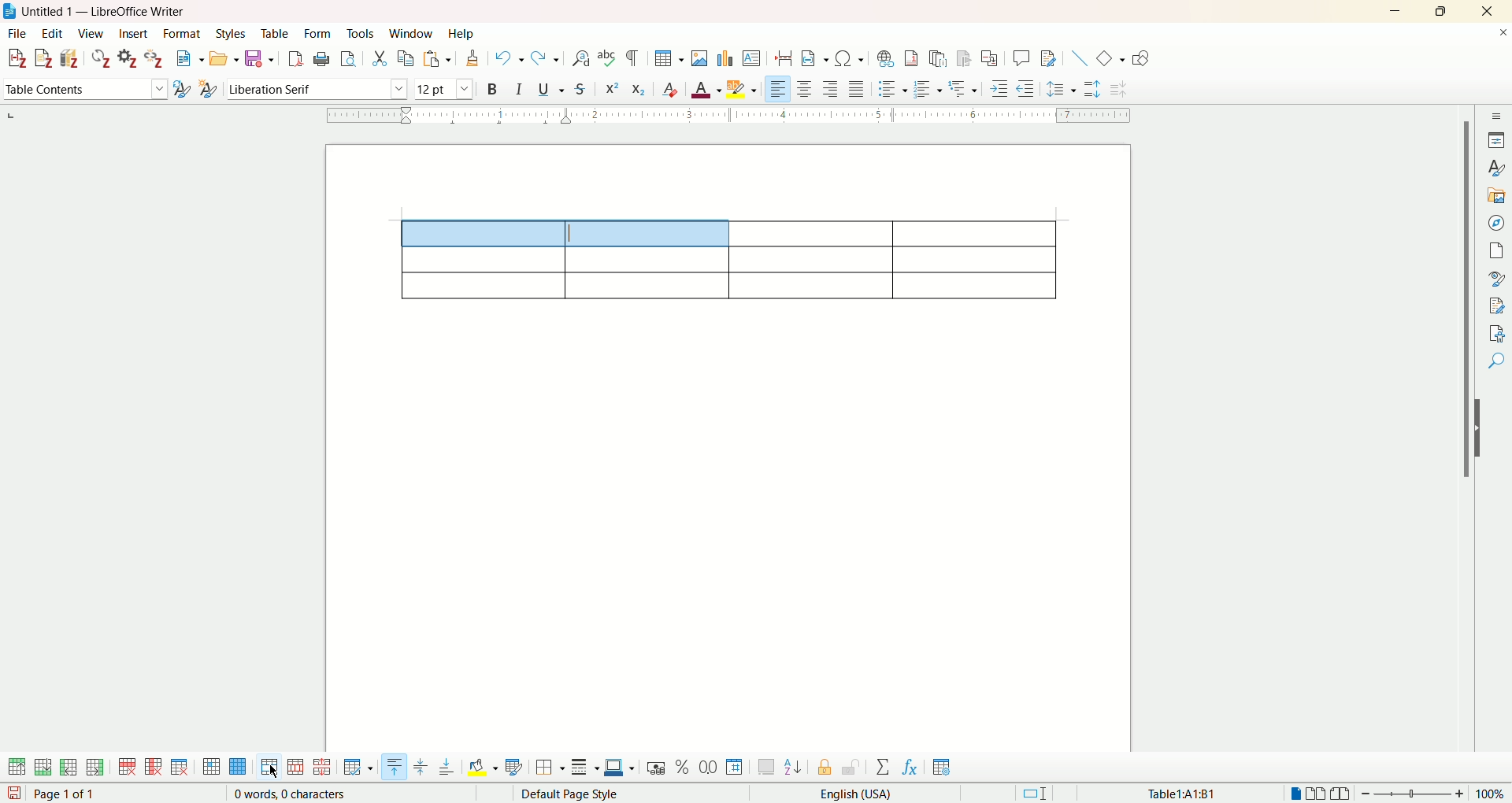  Describe the element at coordinates (723, 60) in the screenshot. I see `insert chart` at that location.